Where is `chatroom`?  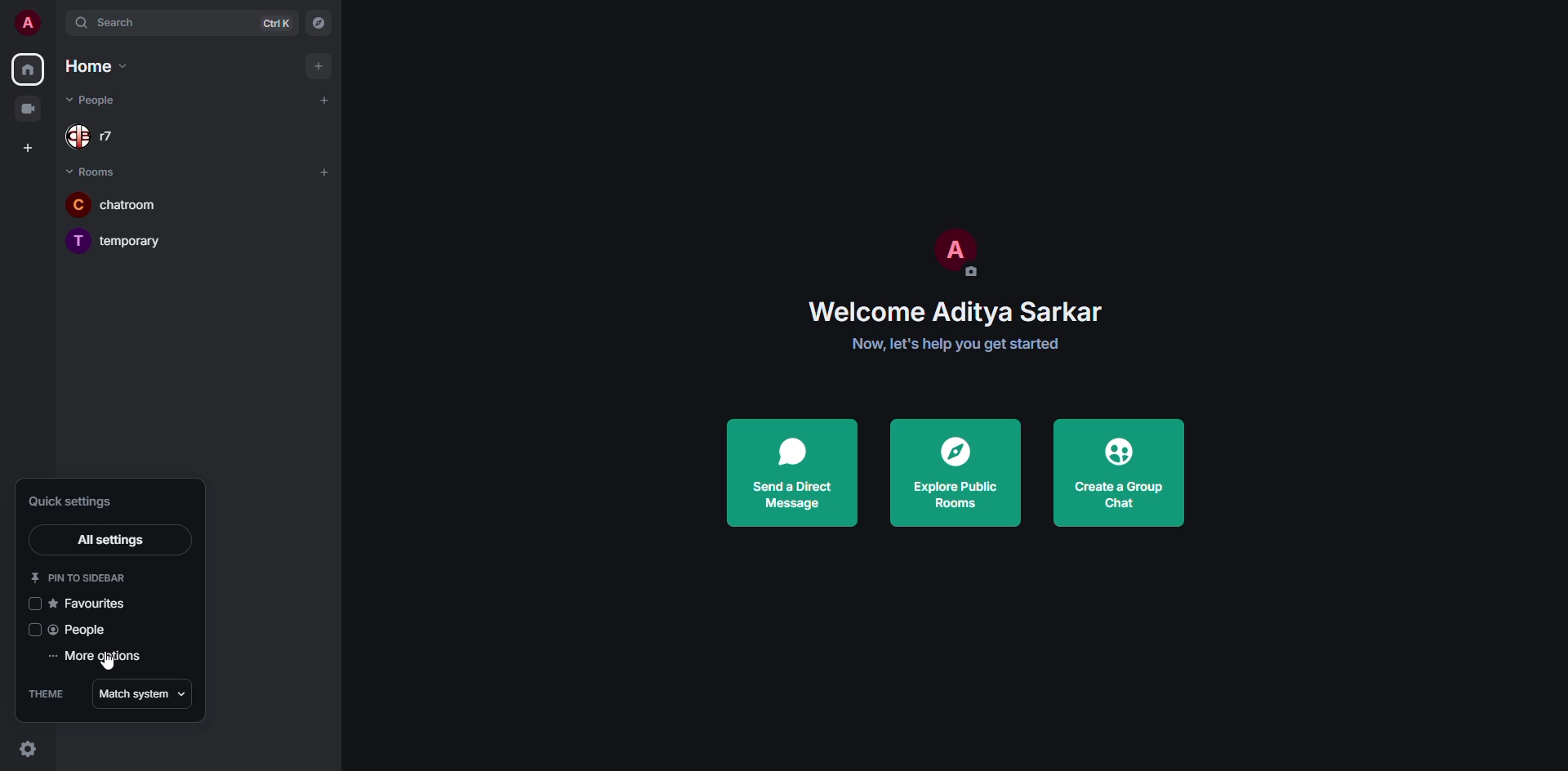
chatroom is located at coordinates (126, 204).